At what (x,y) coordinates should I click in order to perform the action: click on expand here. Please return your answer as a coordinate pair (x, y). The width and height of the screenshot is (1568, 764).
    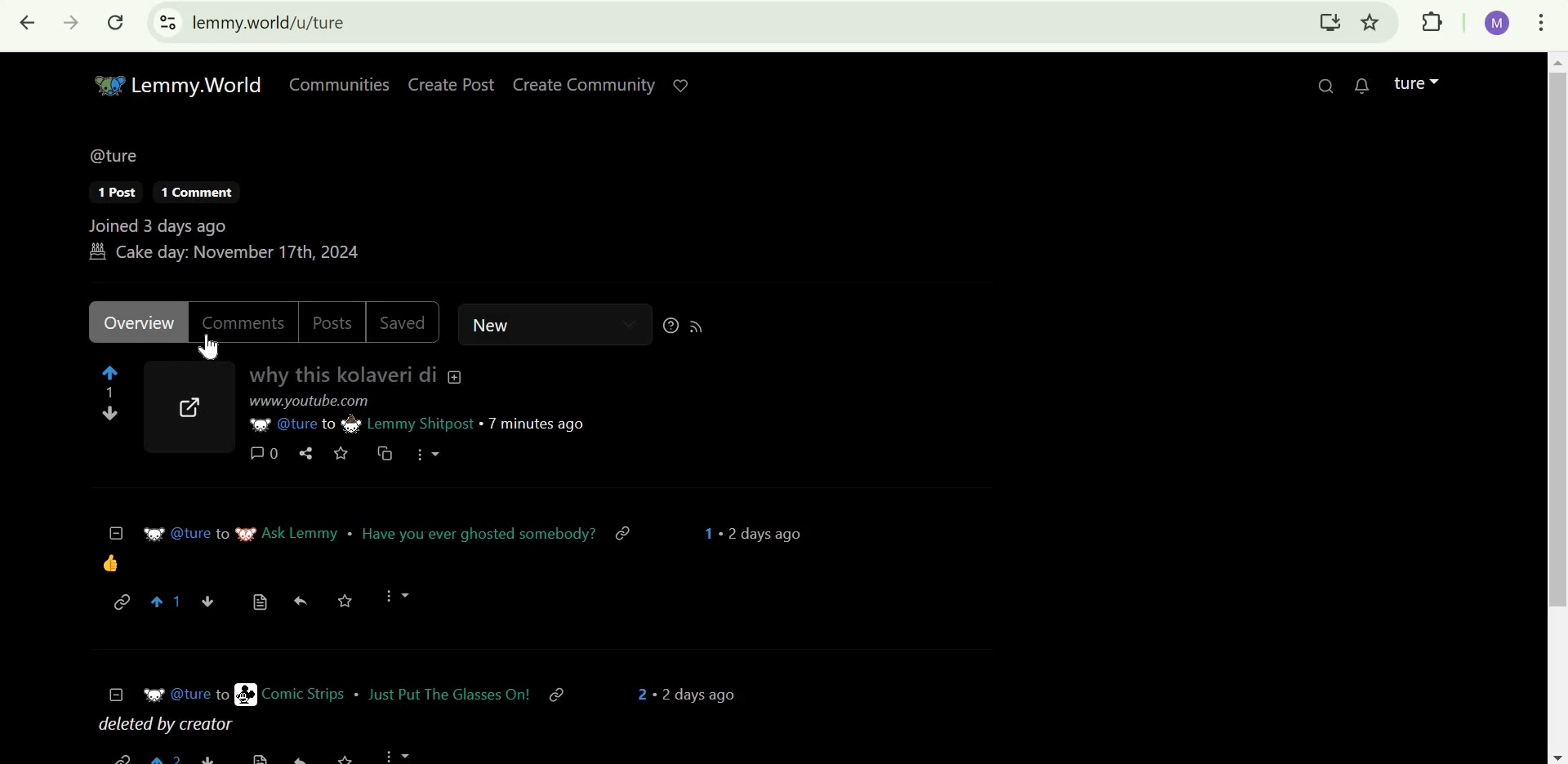
    Looking at the image, I should click on (189, 411).